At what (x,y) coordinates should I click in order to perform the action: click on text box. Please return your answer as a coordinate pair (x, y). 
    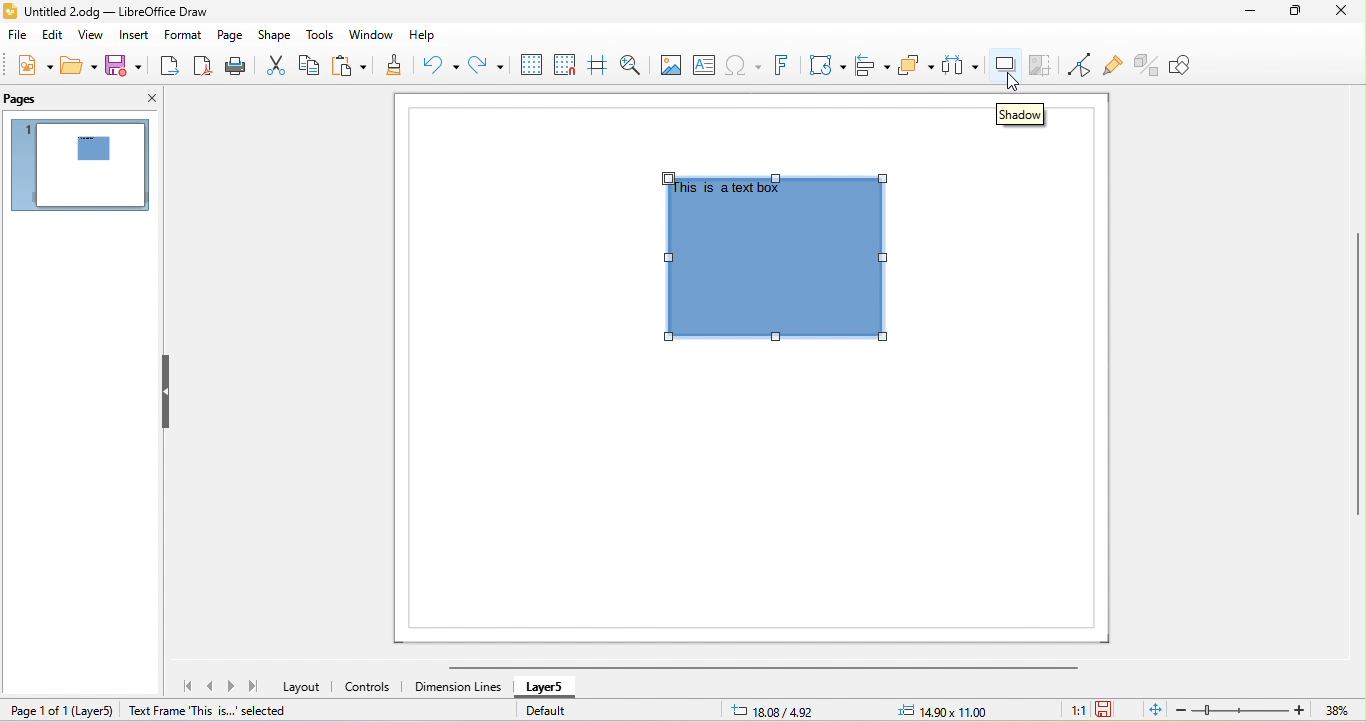
    Looking at the image, I should click on (709, 64).